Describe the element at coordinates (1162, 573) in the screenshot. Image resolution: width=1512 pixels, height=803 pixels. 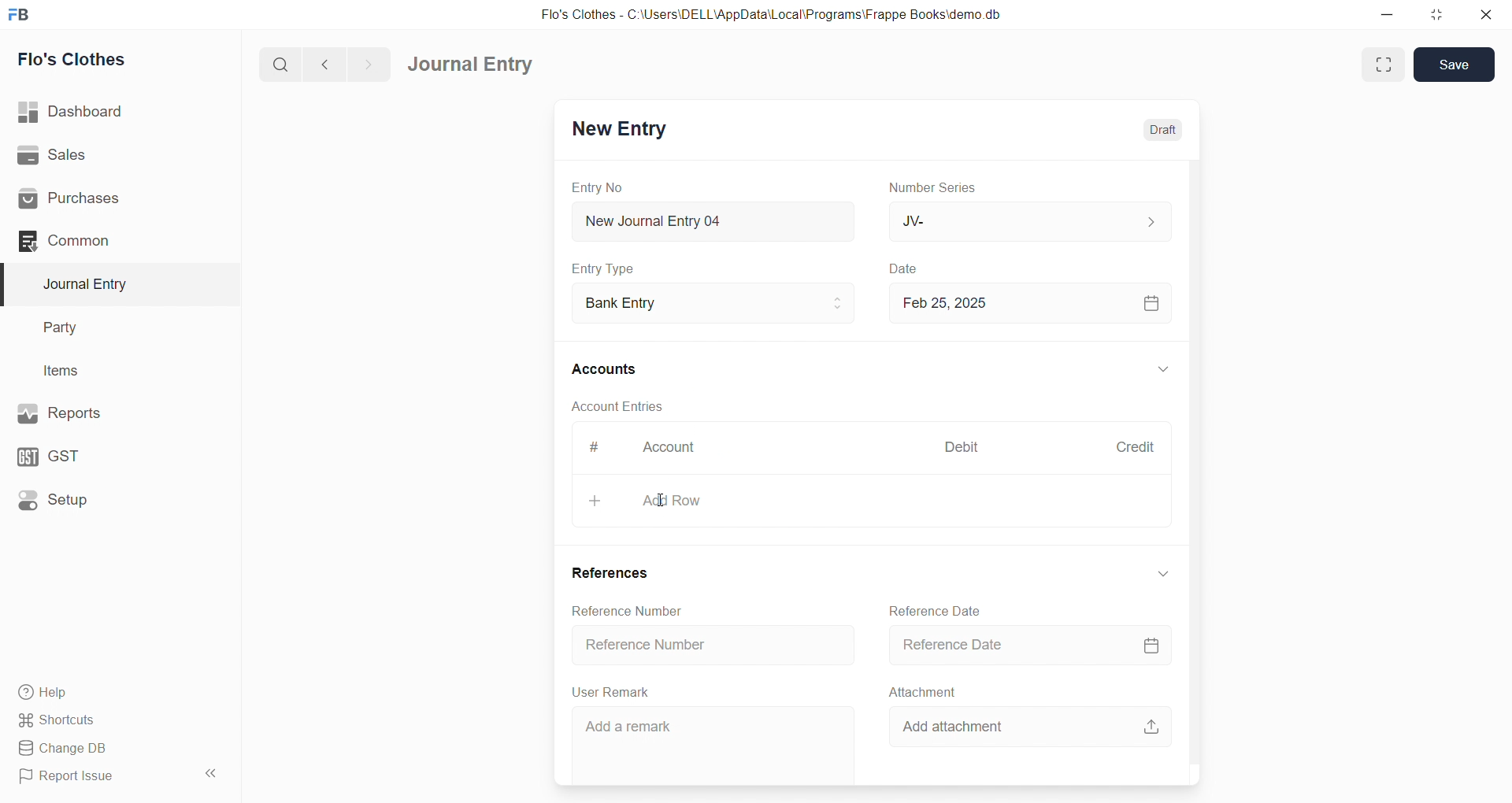
I see `Expand/collapse` at that location.